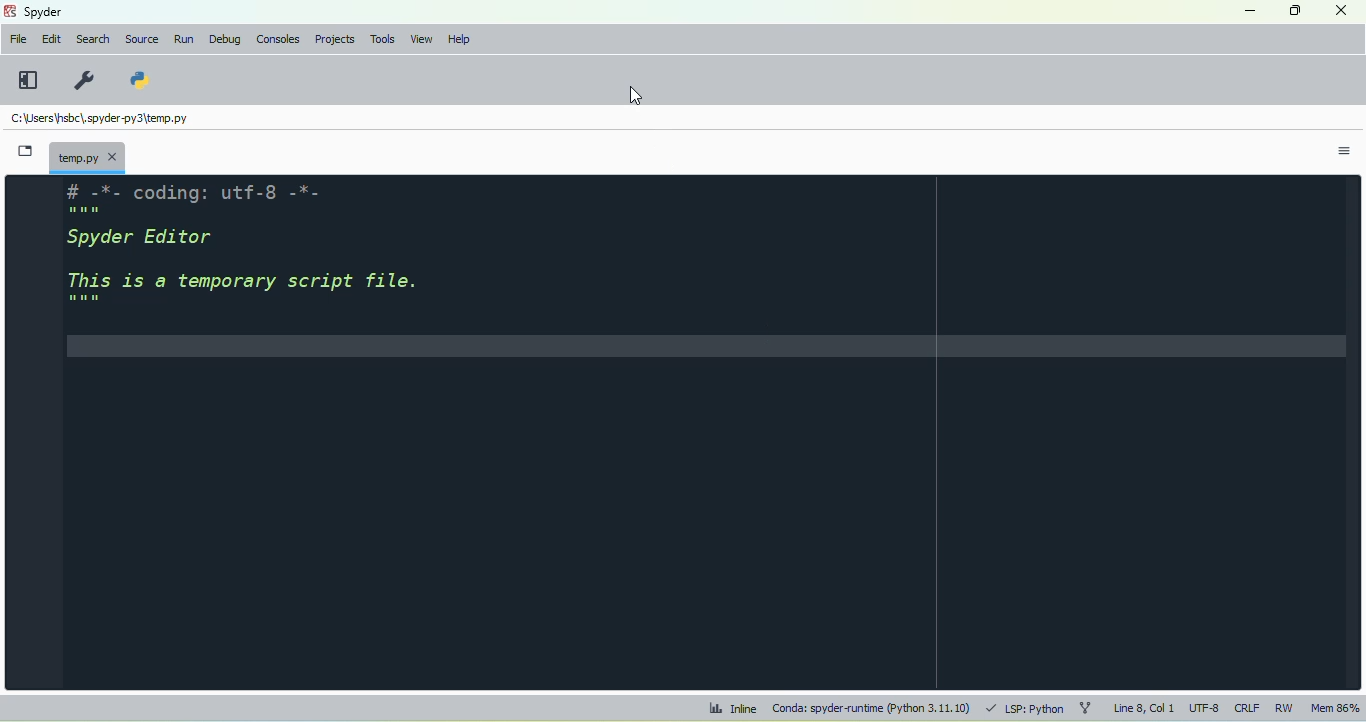  I want to click on maximize, so click(1294, 10).